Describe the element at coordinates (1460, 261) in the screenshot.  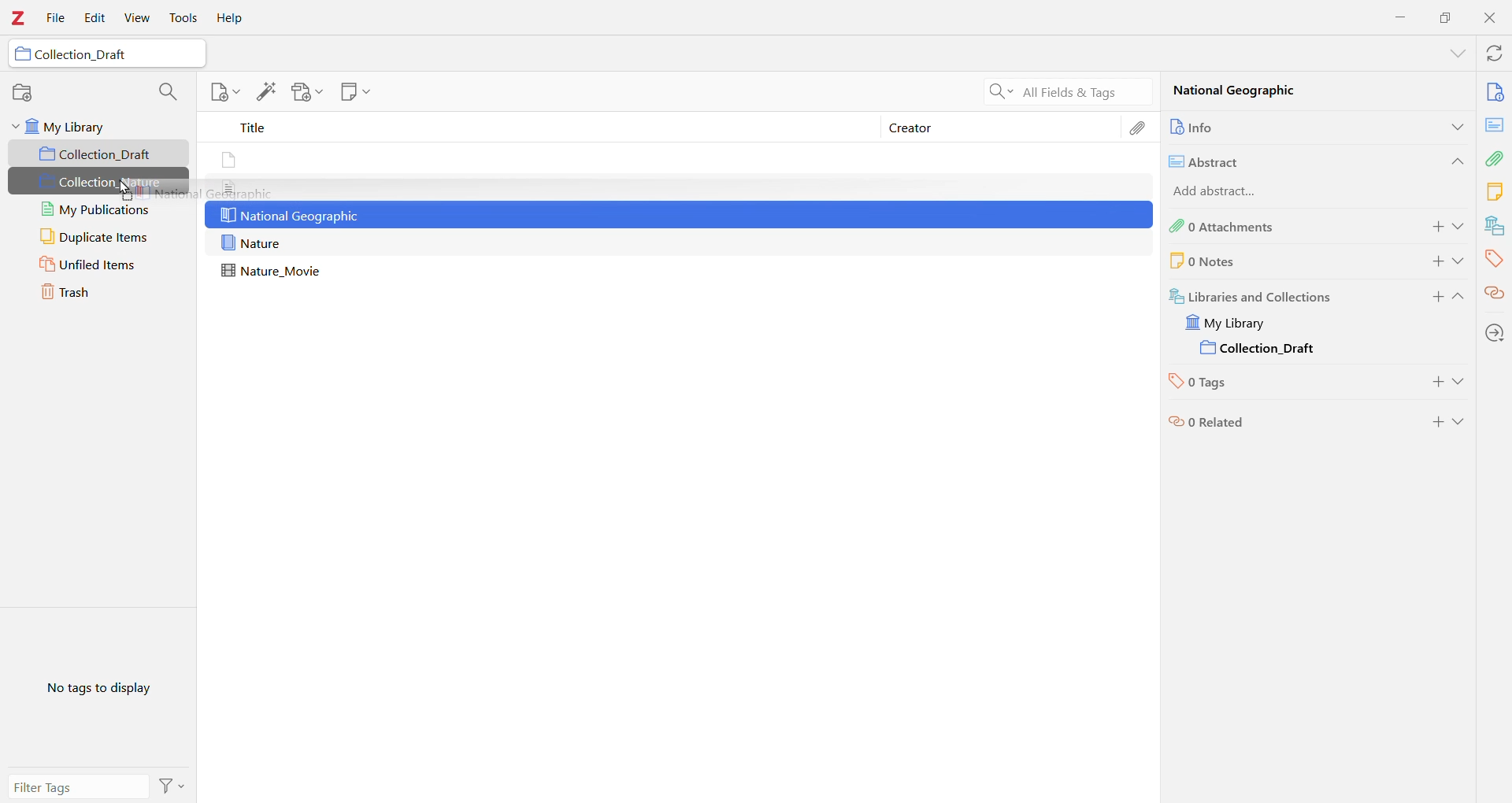
I see `Expand Section` at that location.